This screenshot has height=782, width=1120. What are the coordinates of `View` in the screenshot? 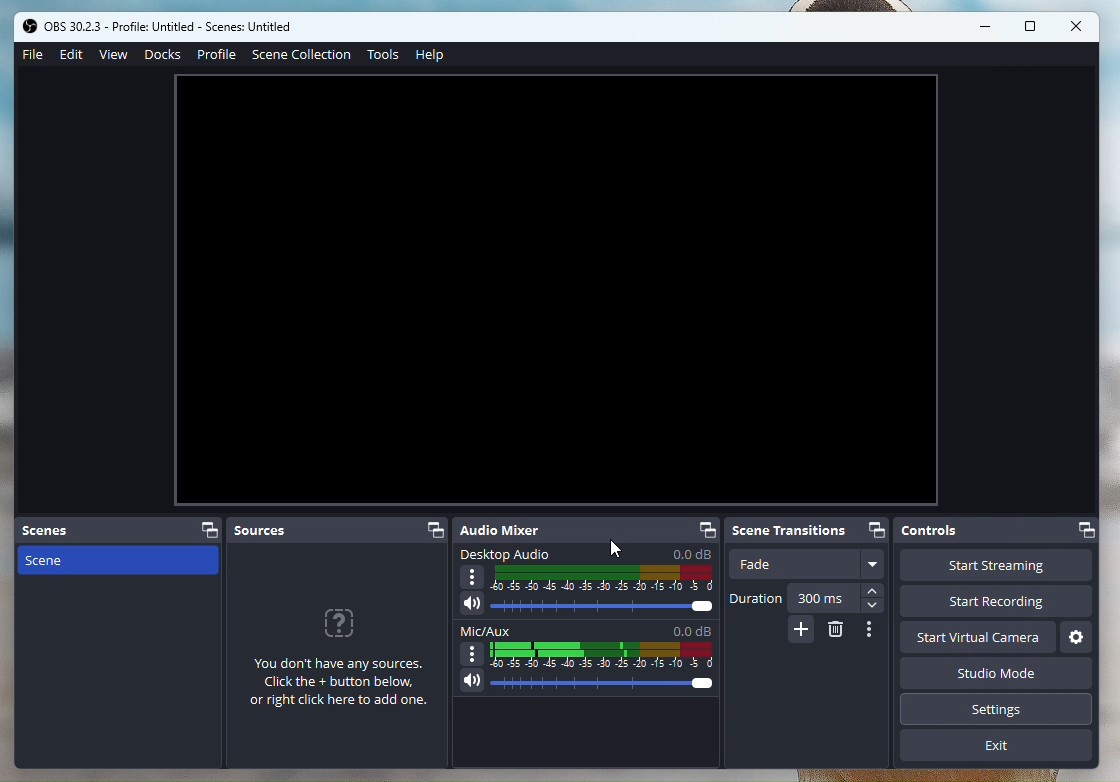 It's located at (116, 55).